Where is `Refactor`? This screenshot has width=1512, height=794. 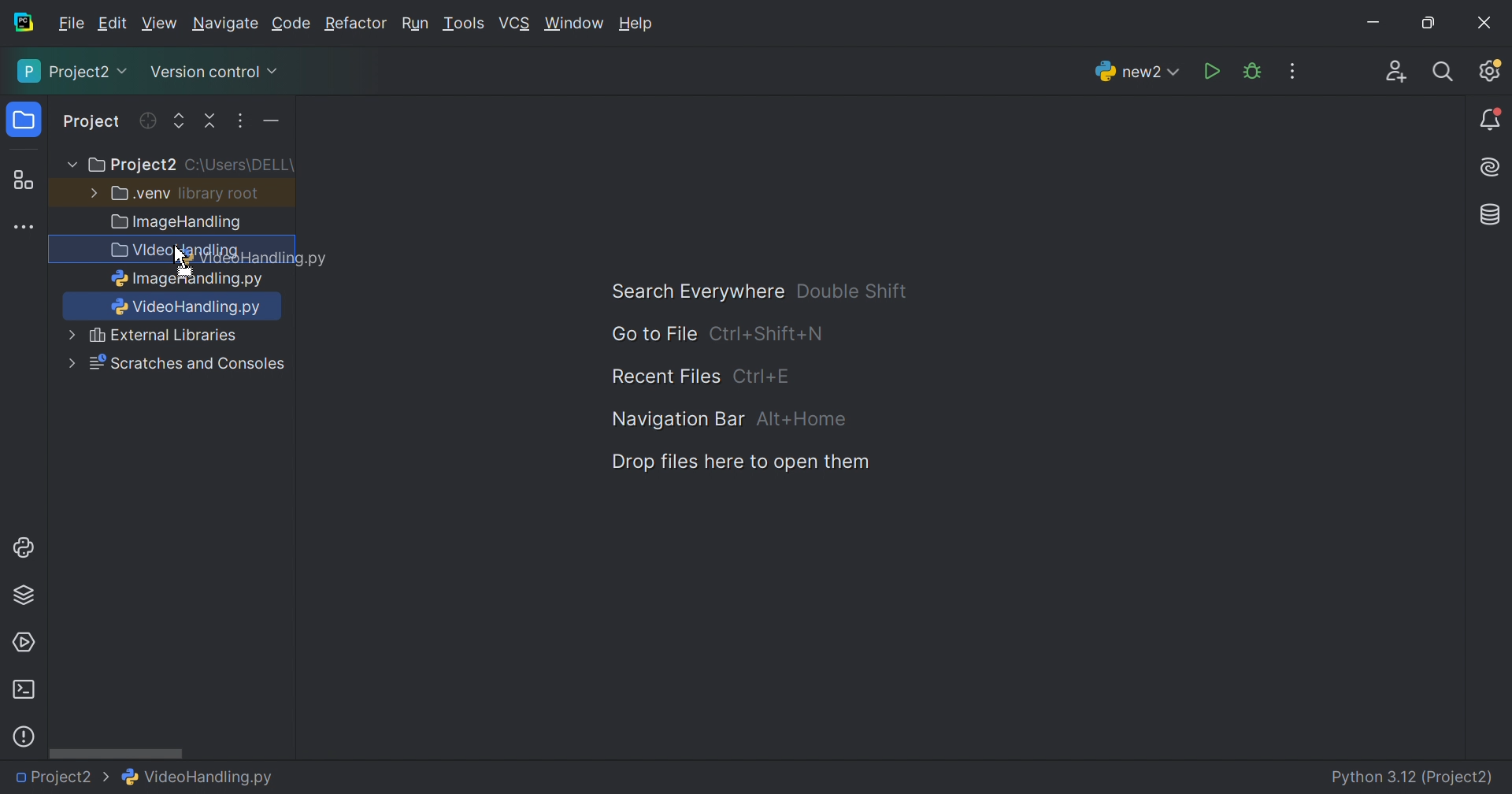 Refactor is located at coordinates (354, 25).